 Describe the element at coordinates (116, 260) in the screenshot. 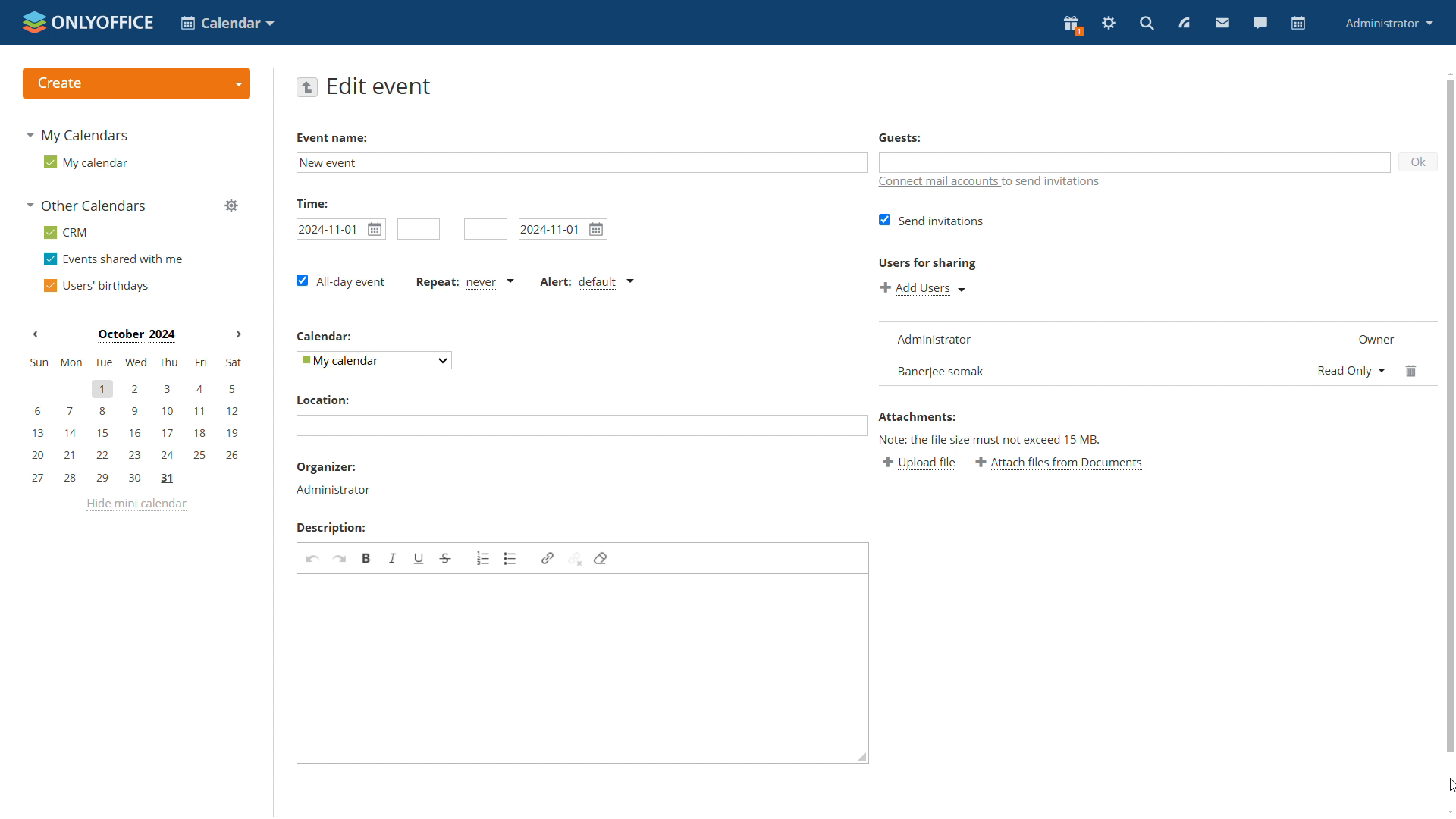

I see `events shared with me` at that location.